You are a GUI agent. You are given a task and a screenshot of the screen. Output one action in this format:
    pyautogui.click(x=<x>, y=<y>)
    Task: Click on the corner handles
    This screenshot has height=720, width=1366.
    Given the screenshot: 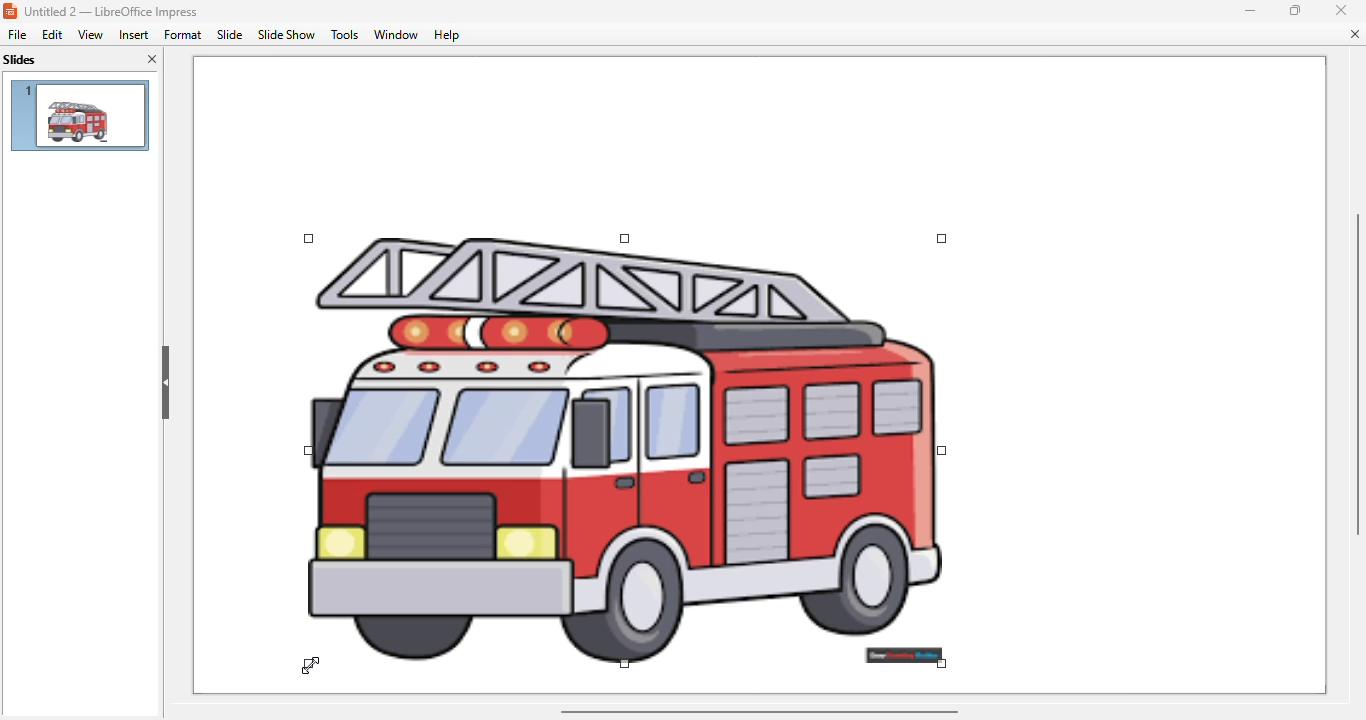 What is the action you would take?
    pyautogui.click(x=625, y=238)
    